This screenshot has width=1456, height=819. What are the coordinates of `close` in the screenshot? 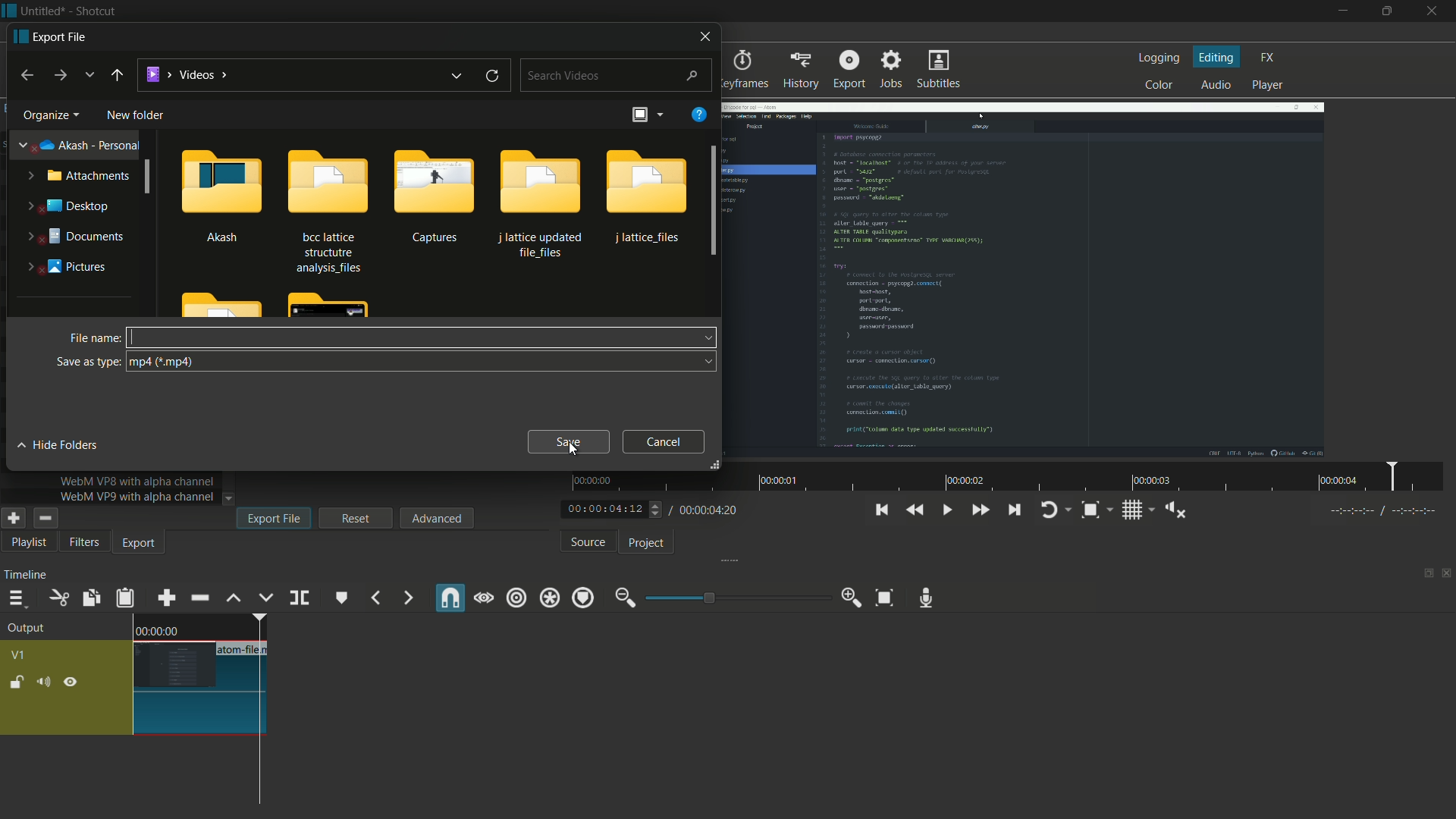 It's located at (702, 35).